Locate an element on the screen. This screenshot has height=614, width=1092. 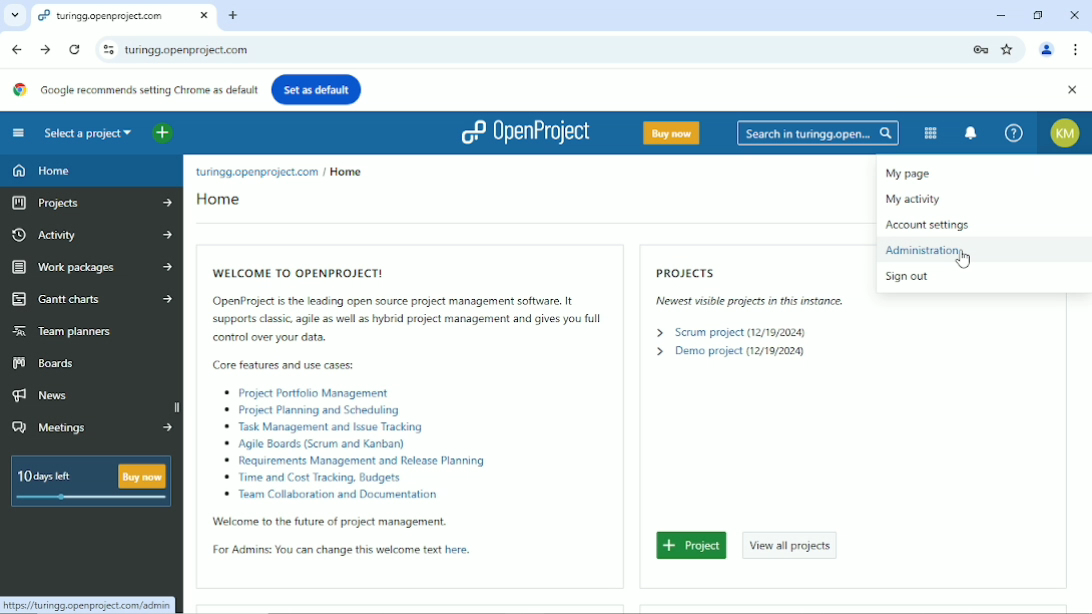
Reload this page is located at coordinates (75, 50).